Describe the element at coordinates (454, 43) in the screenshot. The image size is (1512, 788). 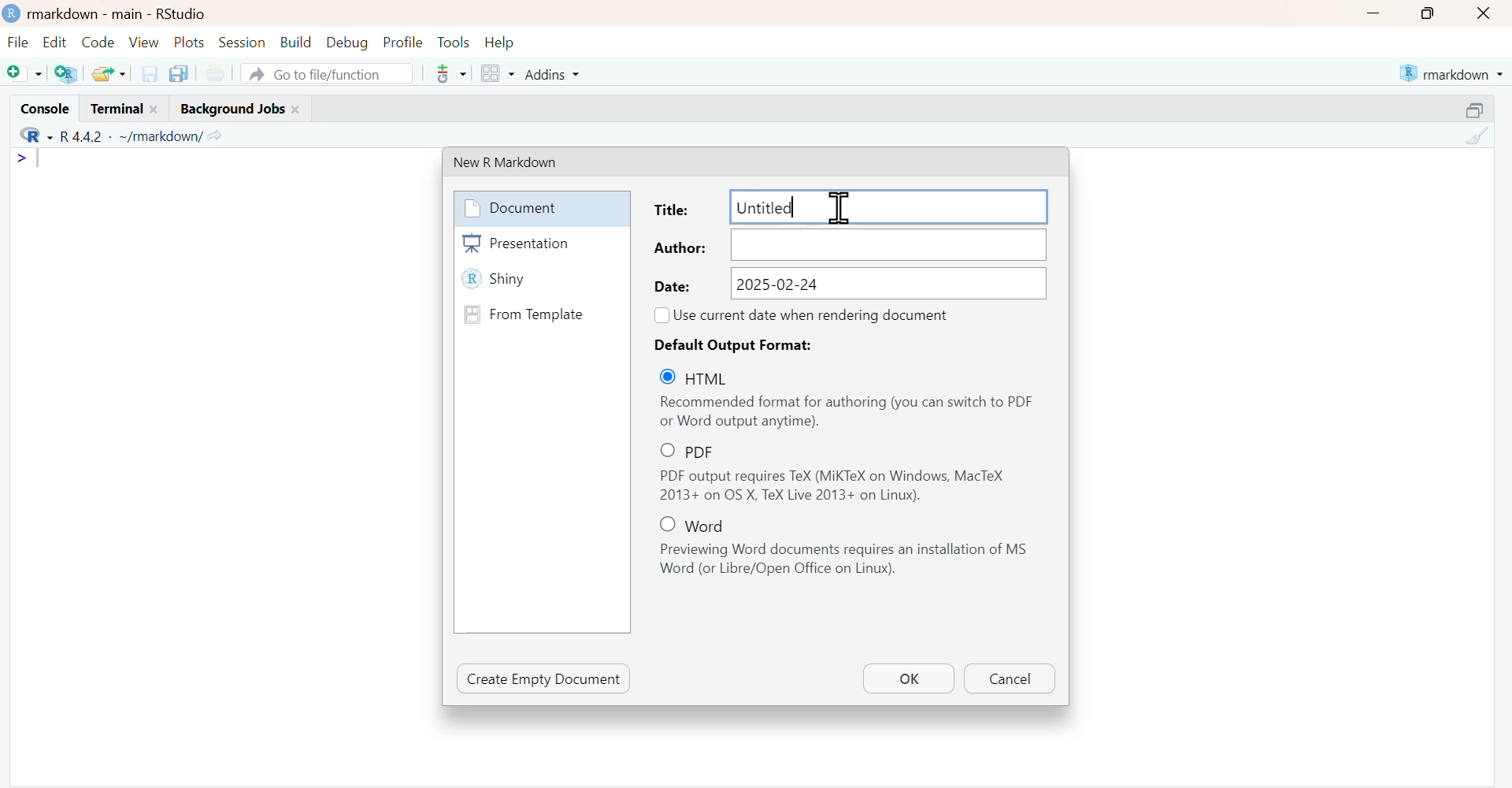
I see `Tools` at that location.